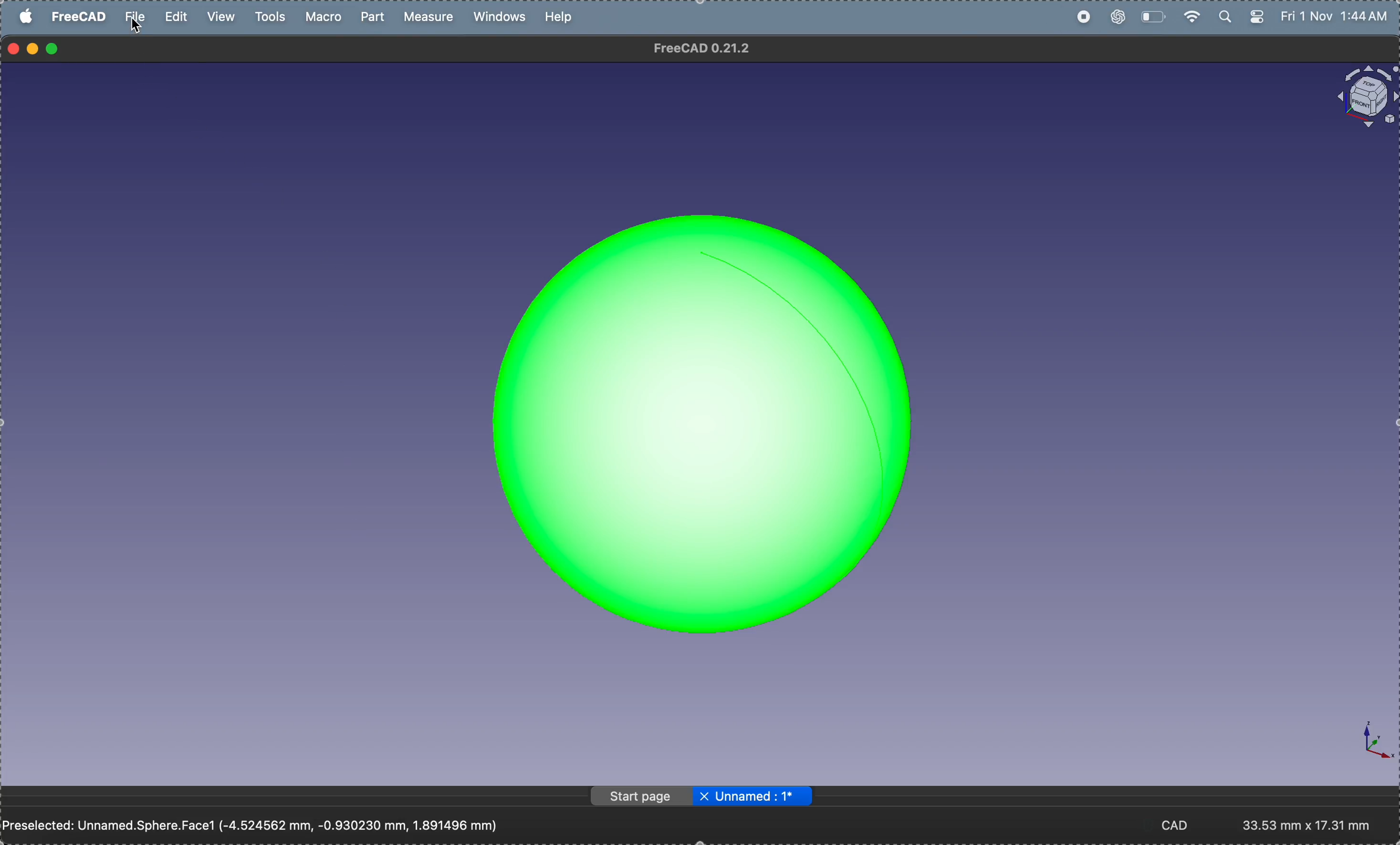 The width and height of the screenshot is (1400, 845). I want to click on view, so click(223, 16).